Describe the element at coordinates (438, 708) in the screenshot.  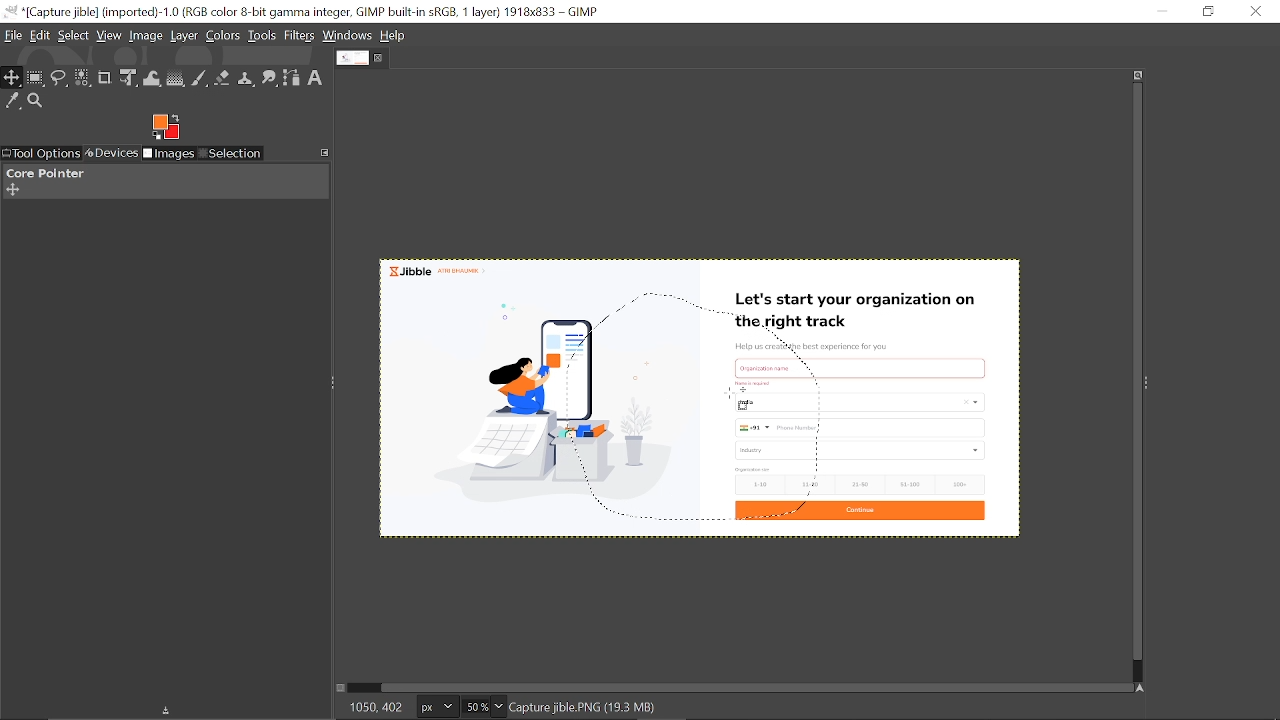
I see `Image unit` at that location.